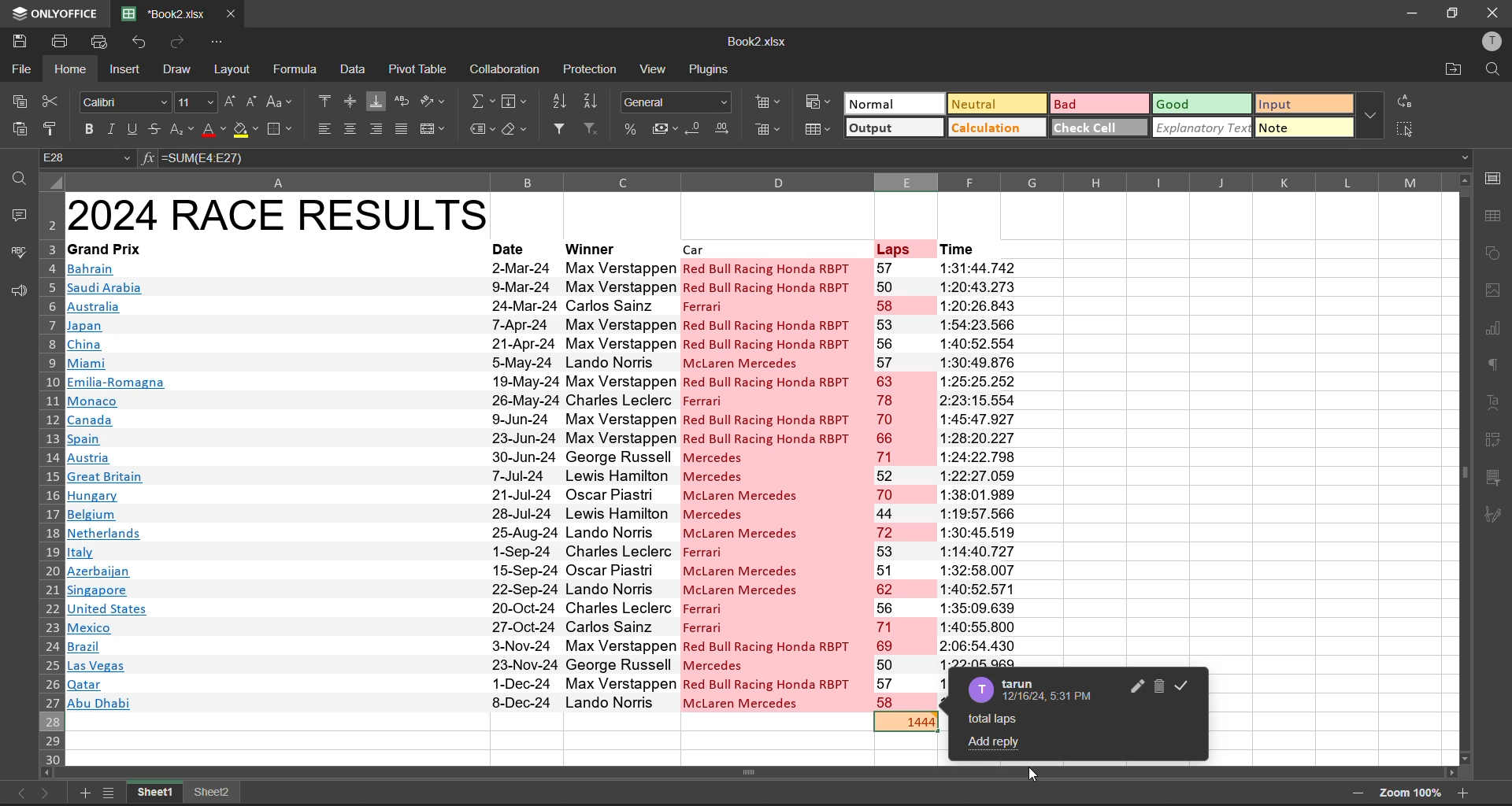  Describe the element at coordinates (221, 43) in the screenshot. I see `customize quick access toolbar` at that location.